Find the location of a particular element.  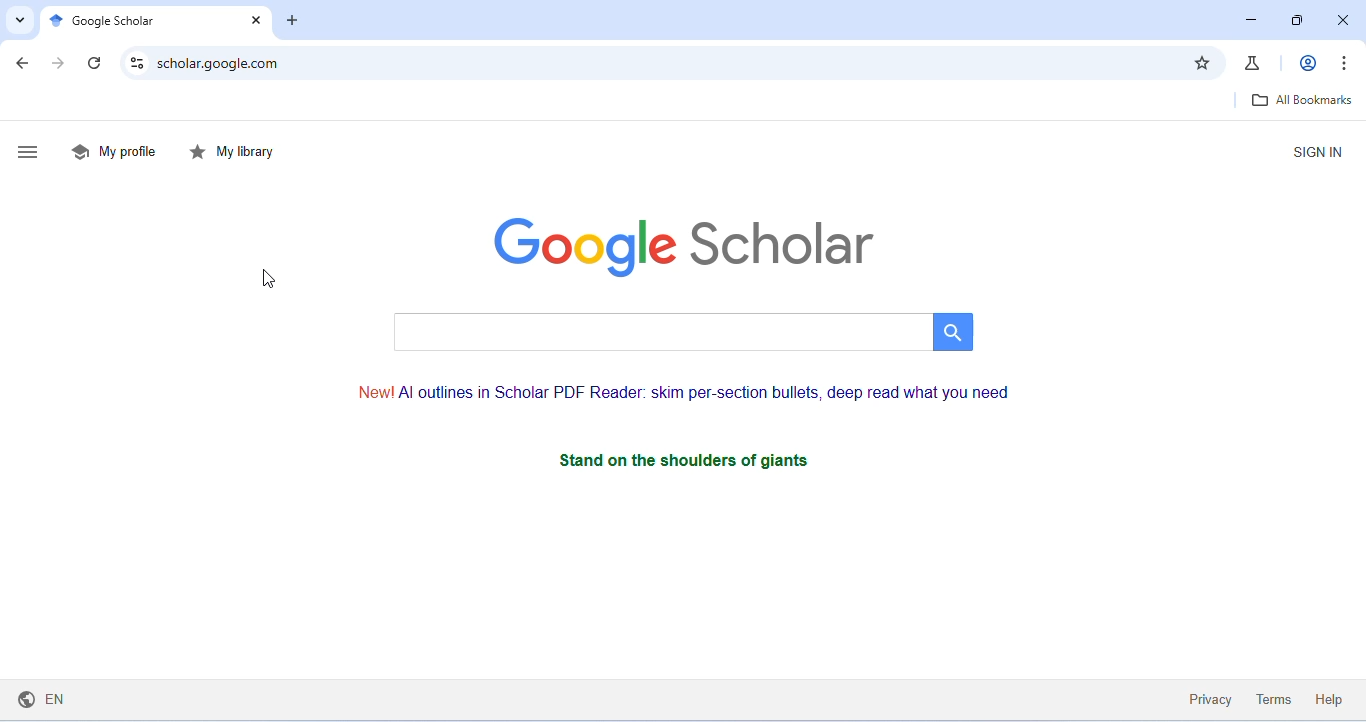

text on AI outlines is located at coordinates (692, 392).